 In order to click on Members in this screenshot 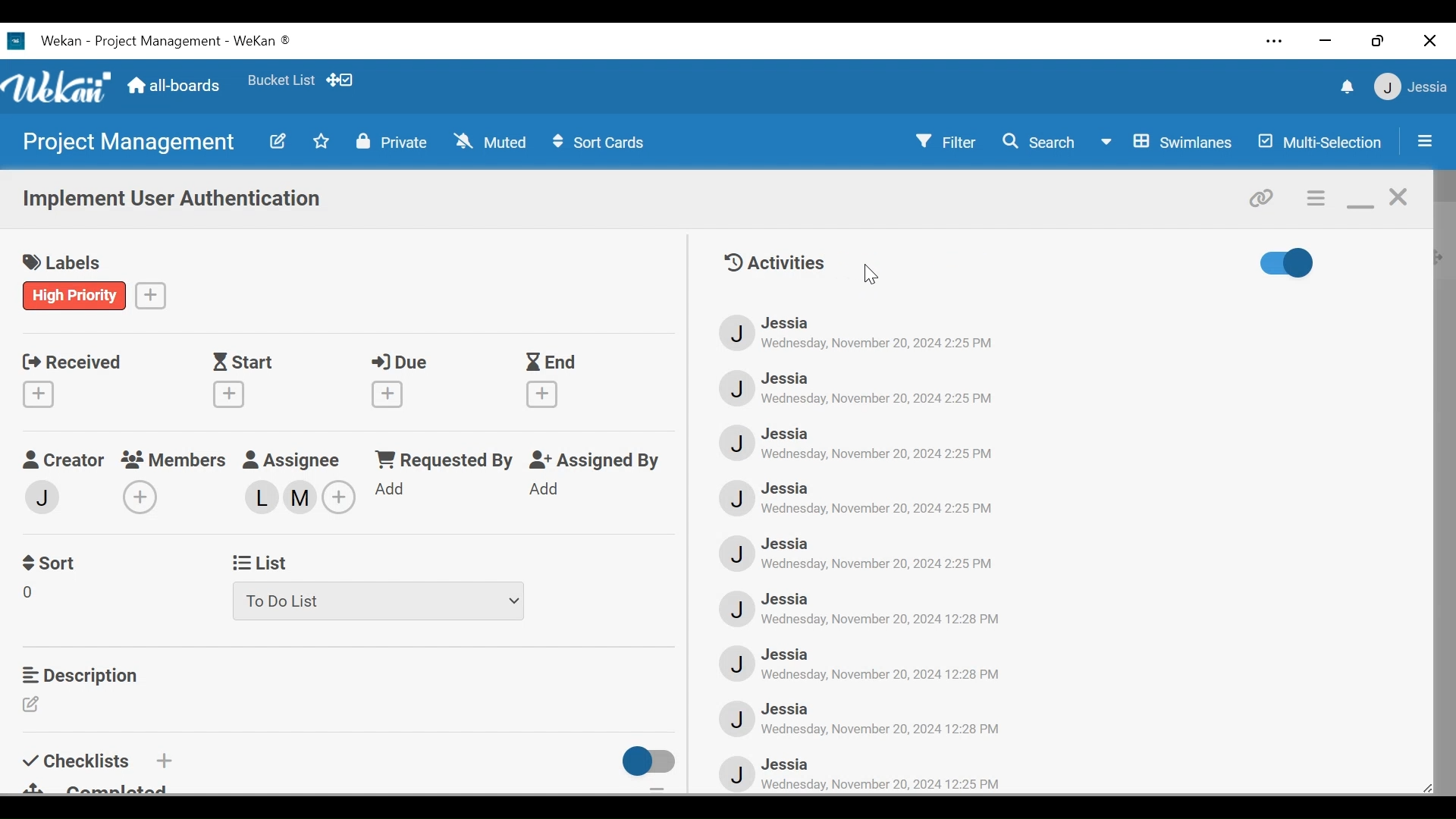, I will do `click(174, 459)`.